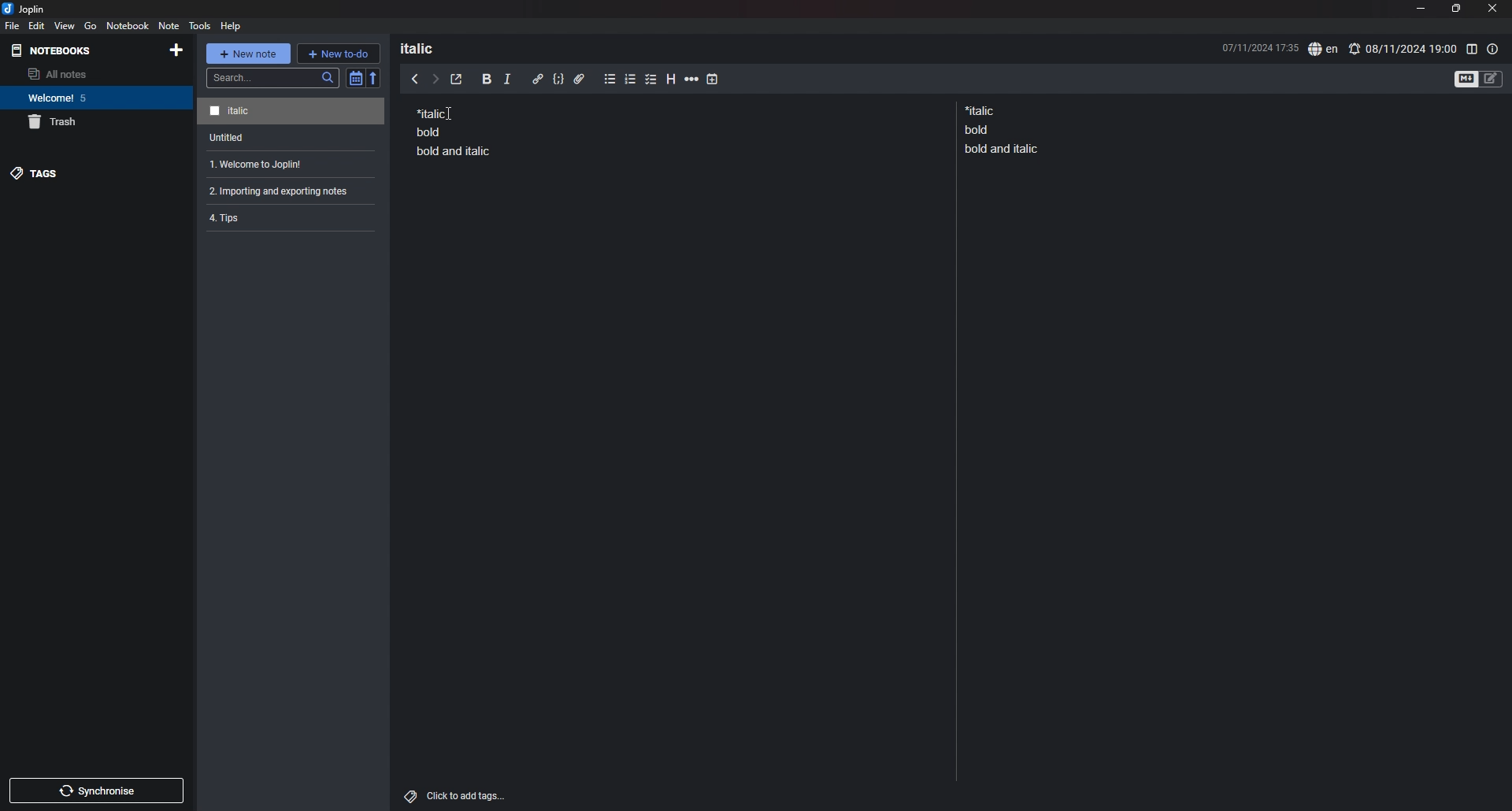 The image size is (1512, 811). What do you see at coordinates (287, 165) in the screenshot?
I see `note` at bounding box center [287, 165].